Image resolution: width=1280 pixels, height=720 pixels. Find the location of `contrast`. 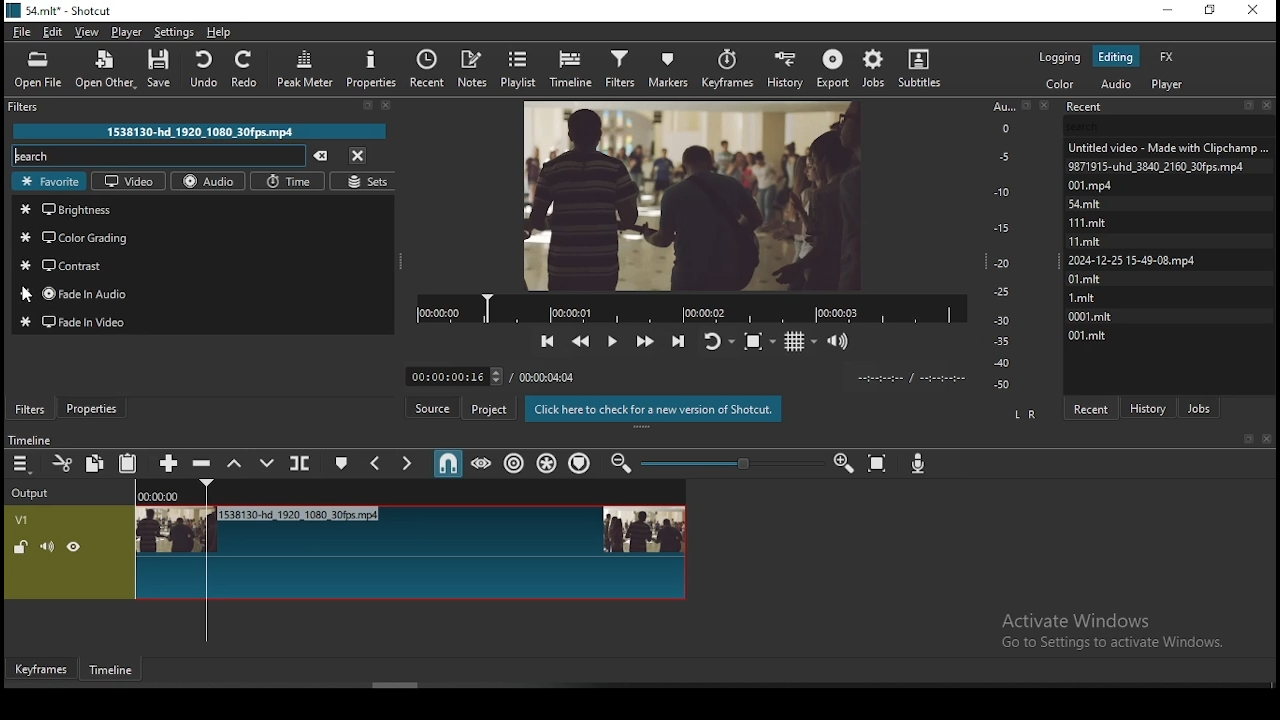

contrast is located at coordinates (202, 264).